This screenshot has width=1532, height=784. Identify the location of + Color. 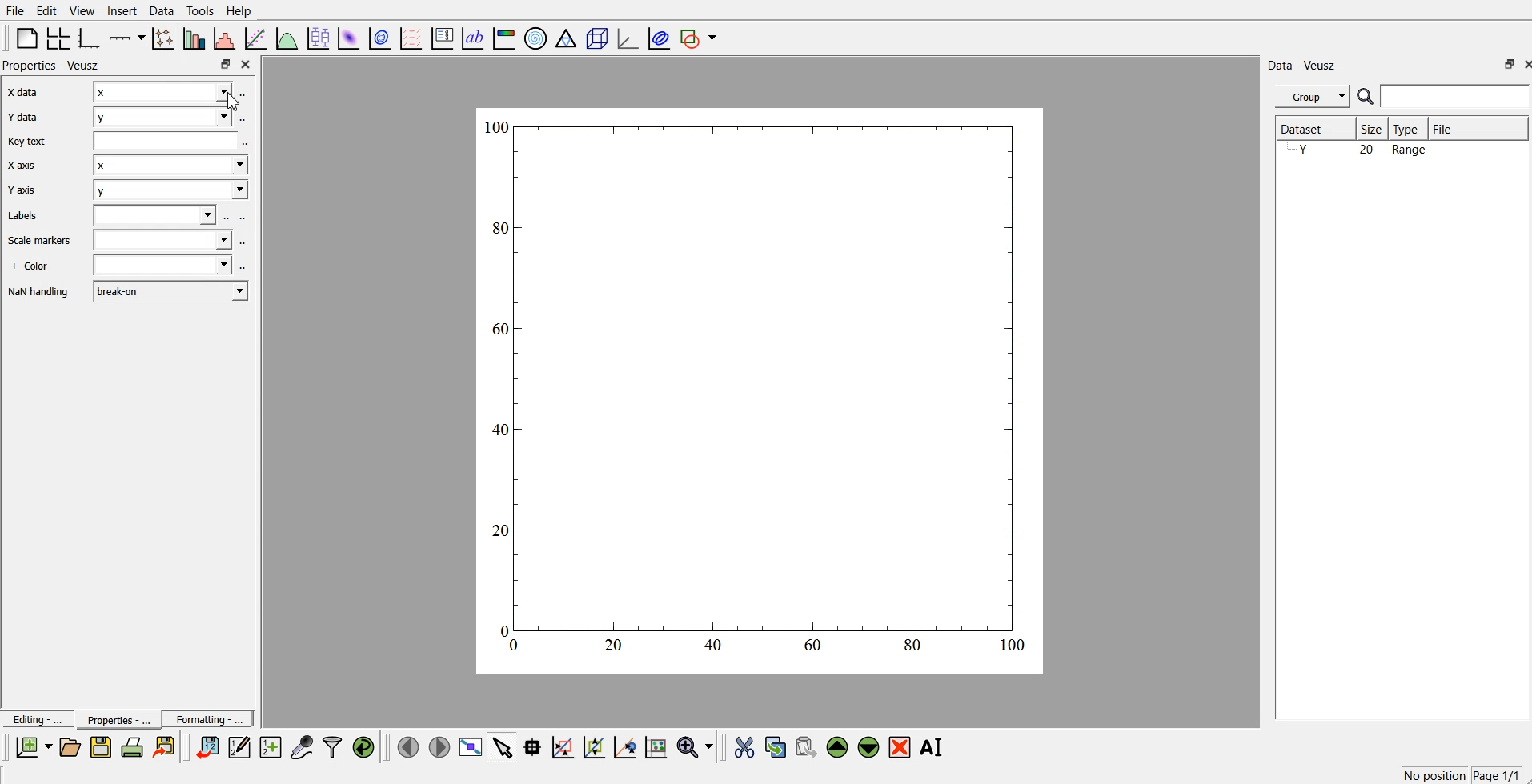
(33, 265).